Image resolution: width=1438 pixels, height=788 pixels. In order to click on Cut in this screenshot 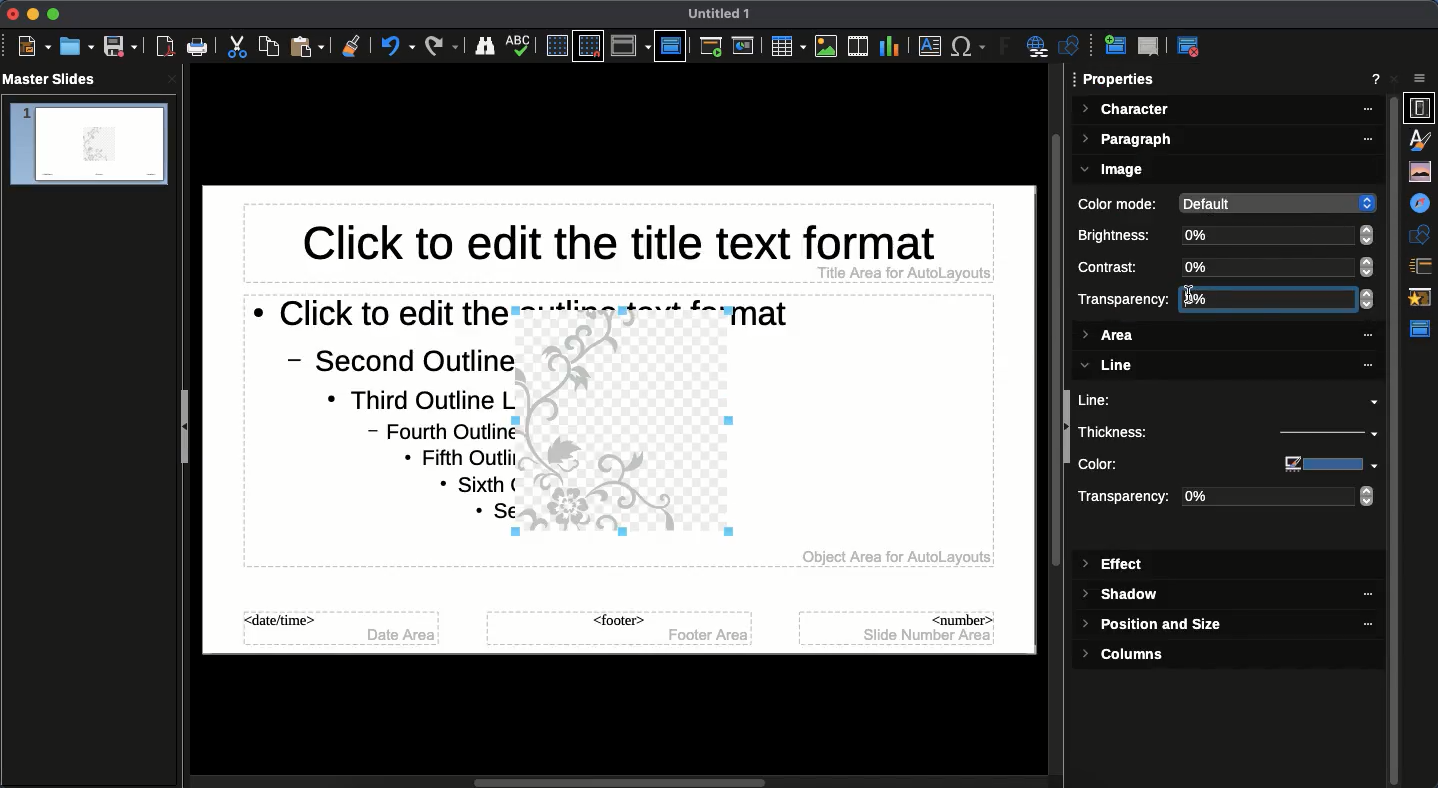, I will do `click(240, 47)`.